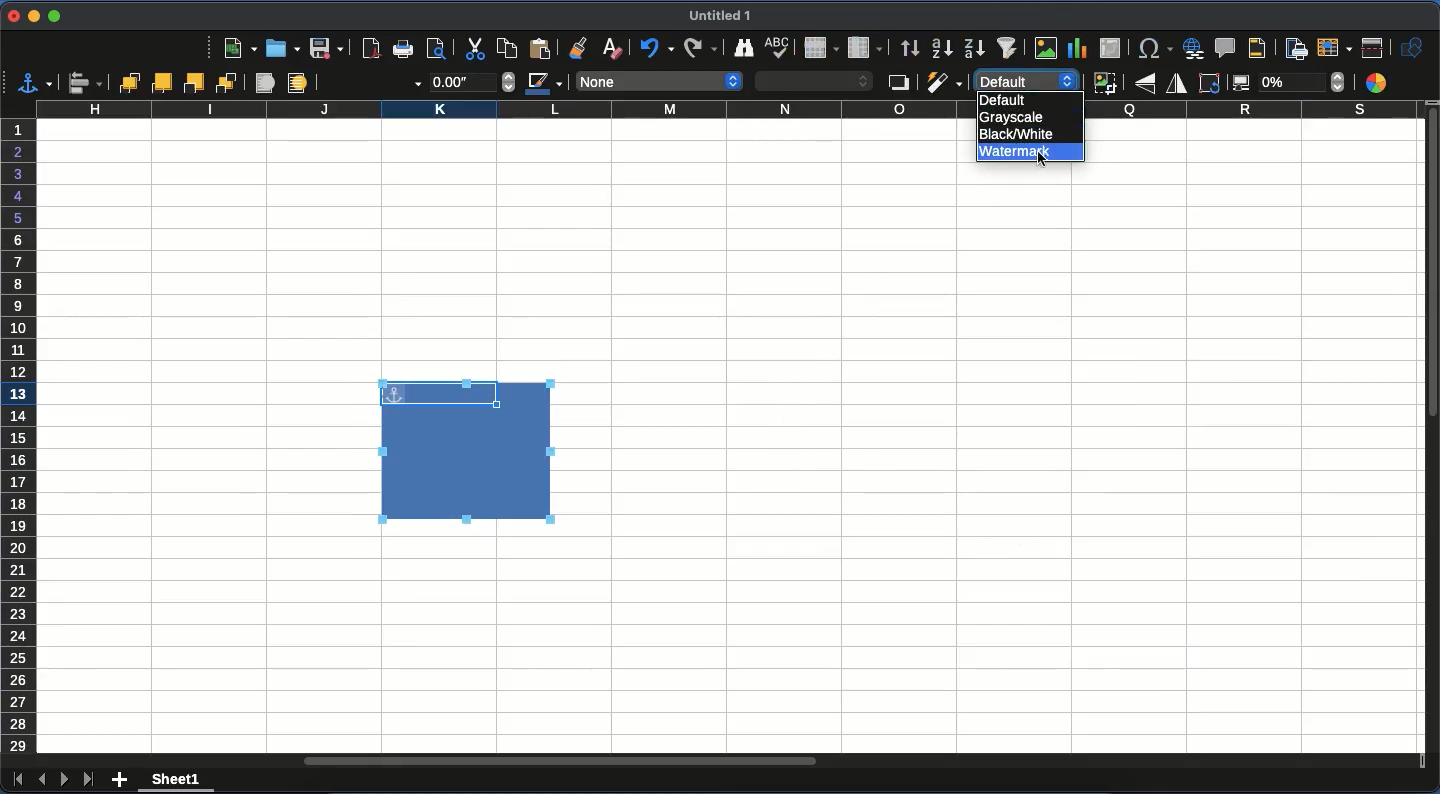 Image resolution: width=1440 pixels, height=794 pixels. I want to click on row, so click(821, 49).